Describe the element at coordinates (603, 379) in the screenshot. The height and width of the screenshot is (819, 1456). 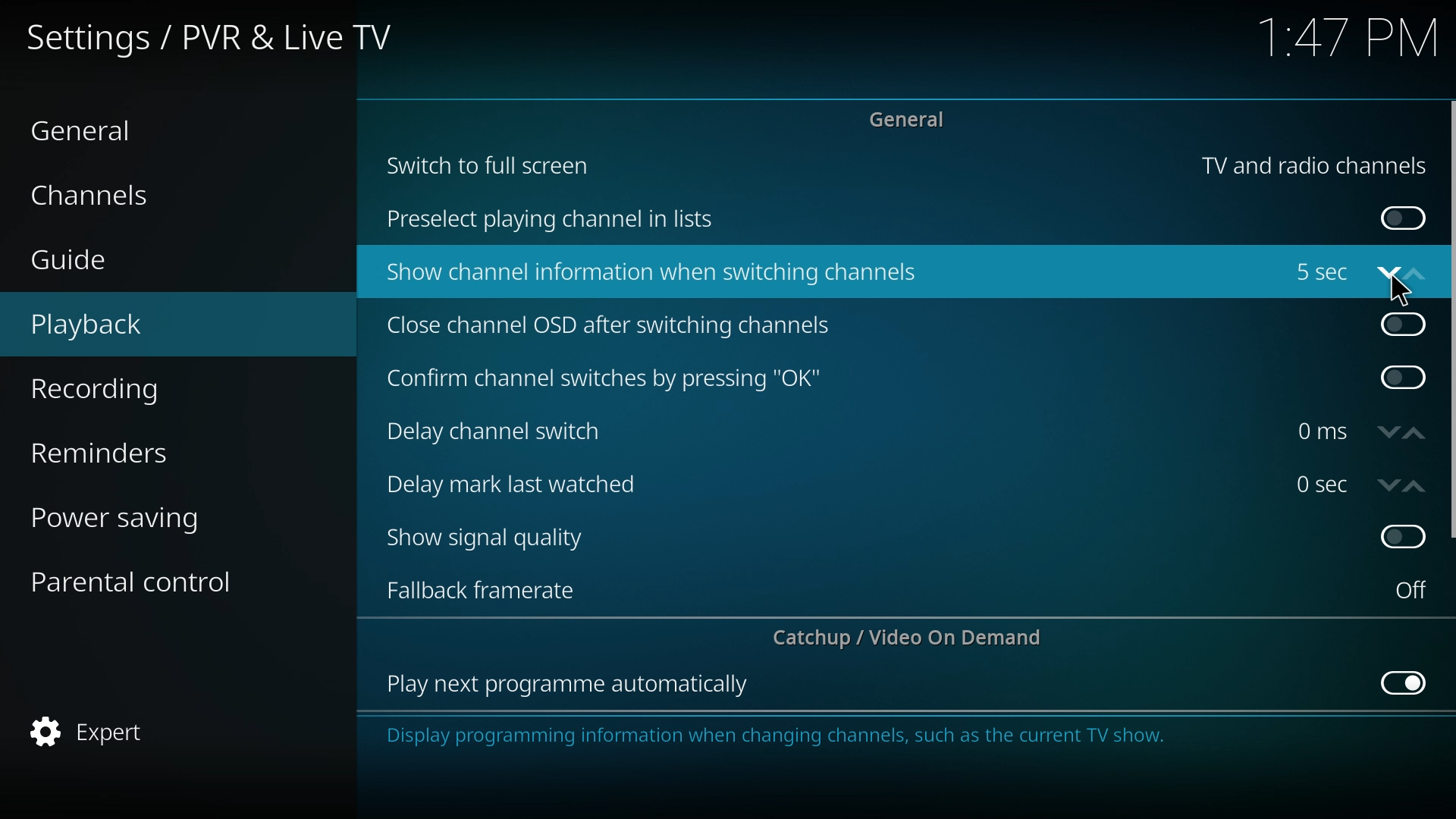
I see `confirm channel switches by pressing ok` at that location.